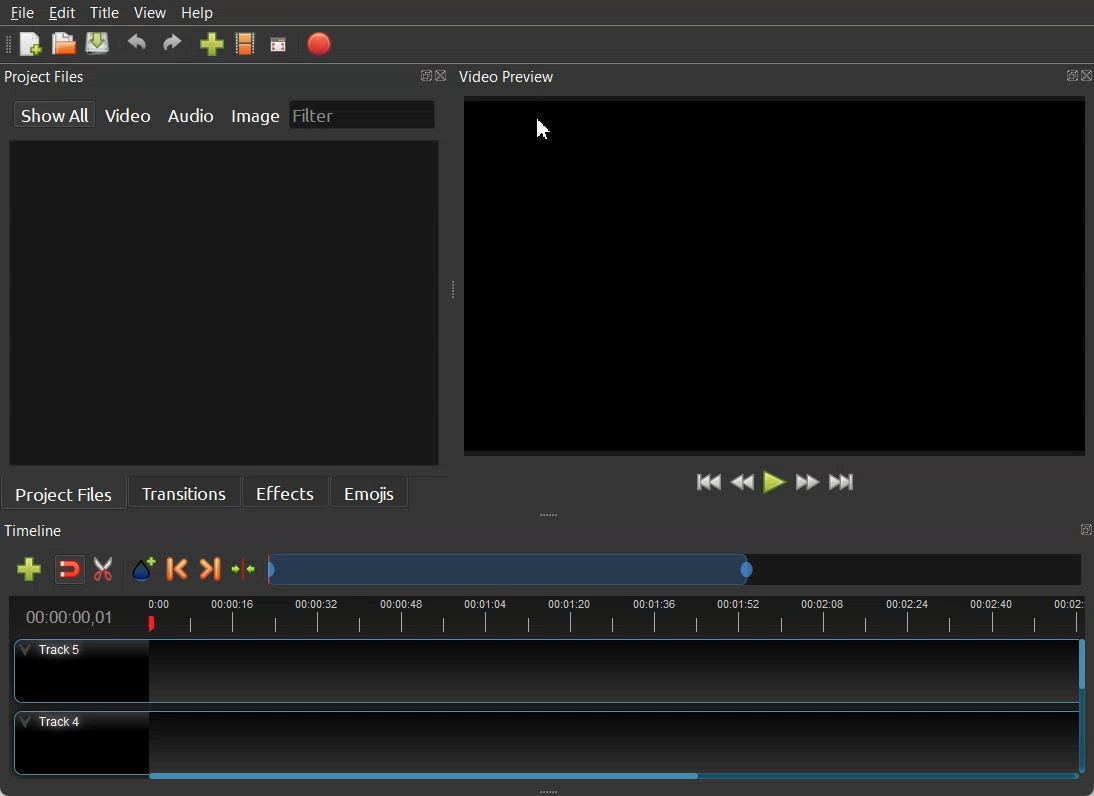 The image size is (1094, 796). I want to click on Add Track, so click(29, 569).